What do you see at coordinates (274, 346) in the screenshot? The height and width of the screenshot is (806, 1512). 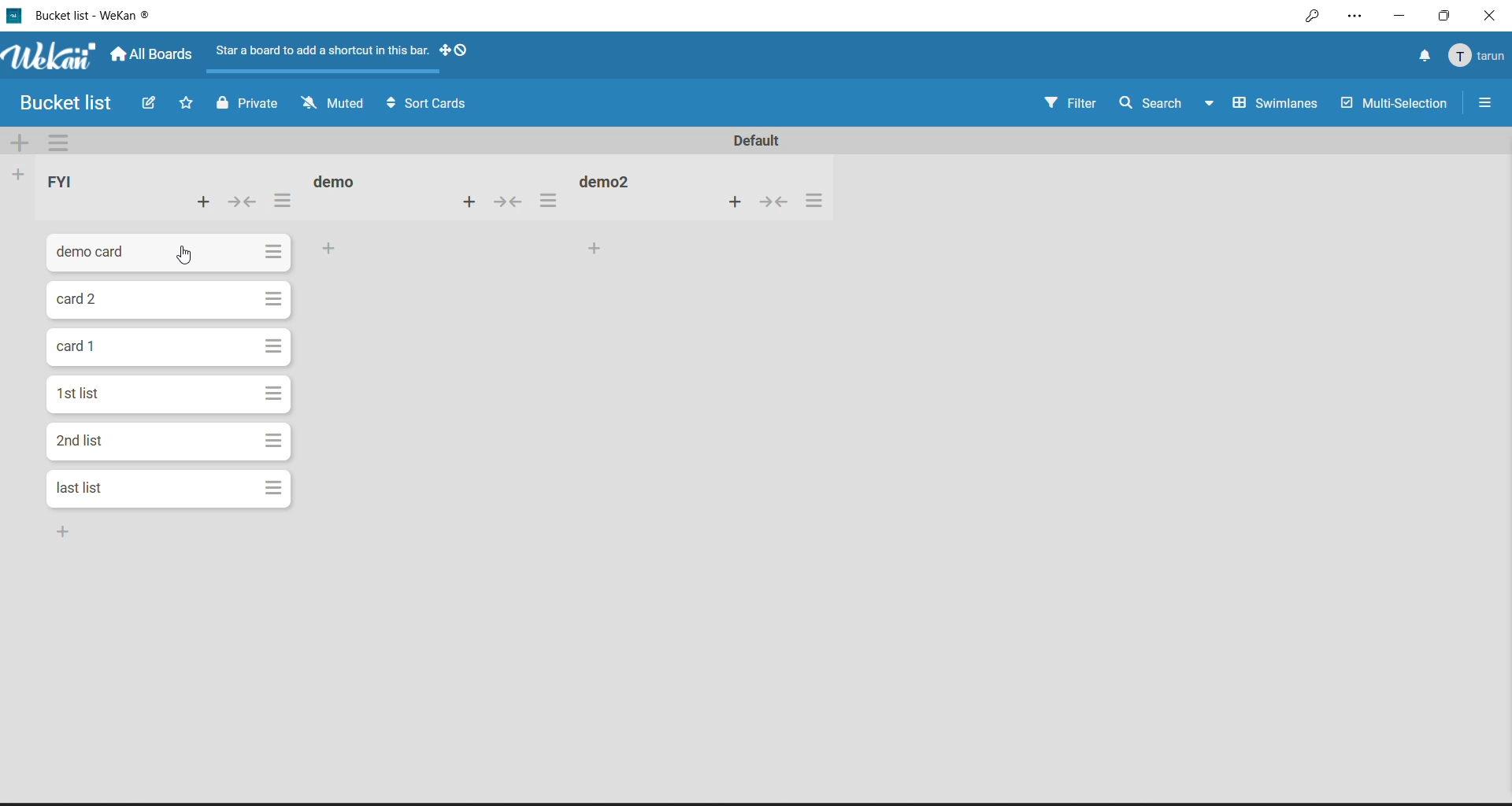 I see `card actions` at bounding box center [274, 346].